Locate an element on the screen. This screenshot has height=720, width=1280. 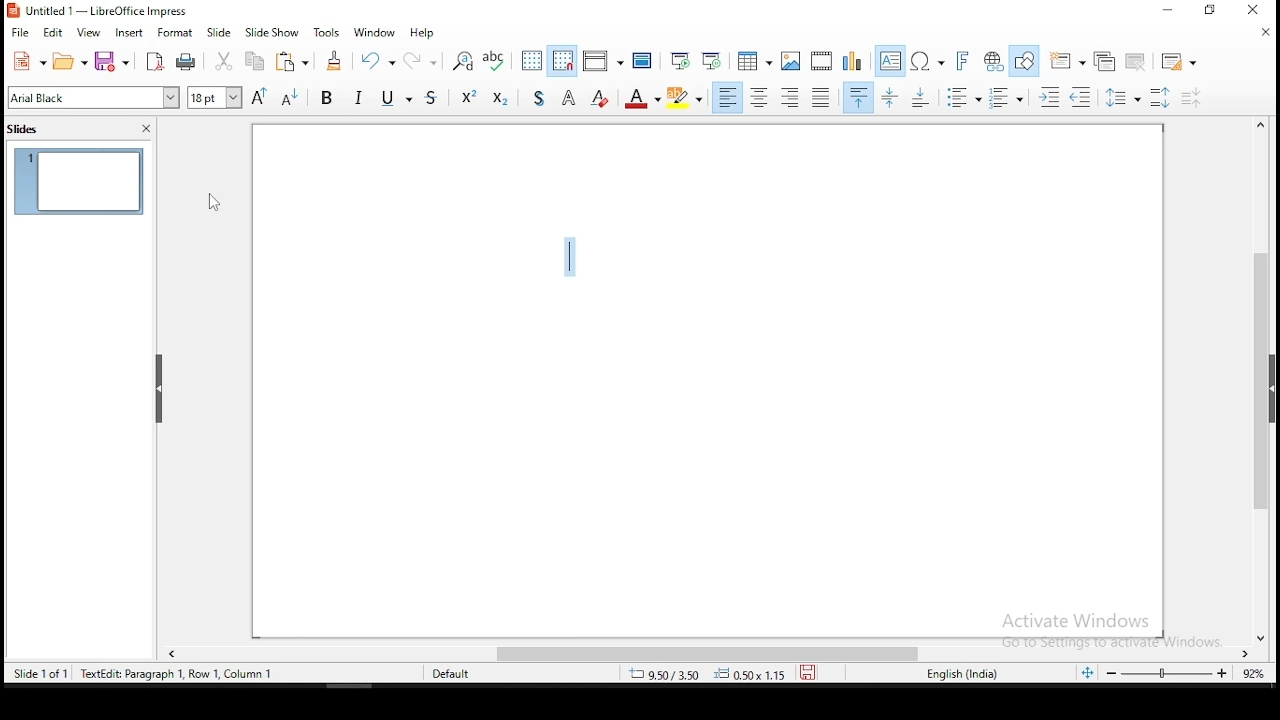
minimize is located at coordinates (1169, 10).